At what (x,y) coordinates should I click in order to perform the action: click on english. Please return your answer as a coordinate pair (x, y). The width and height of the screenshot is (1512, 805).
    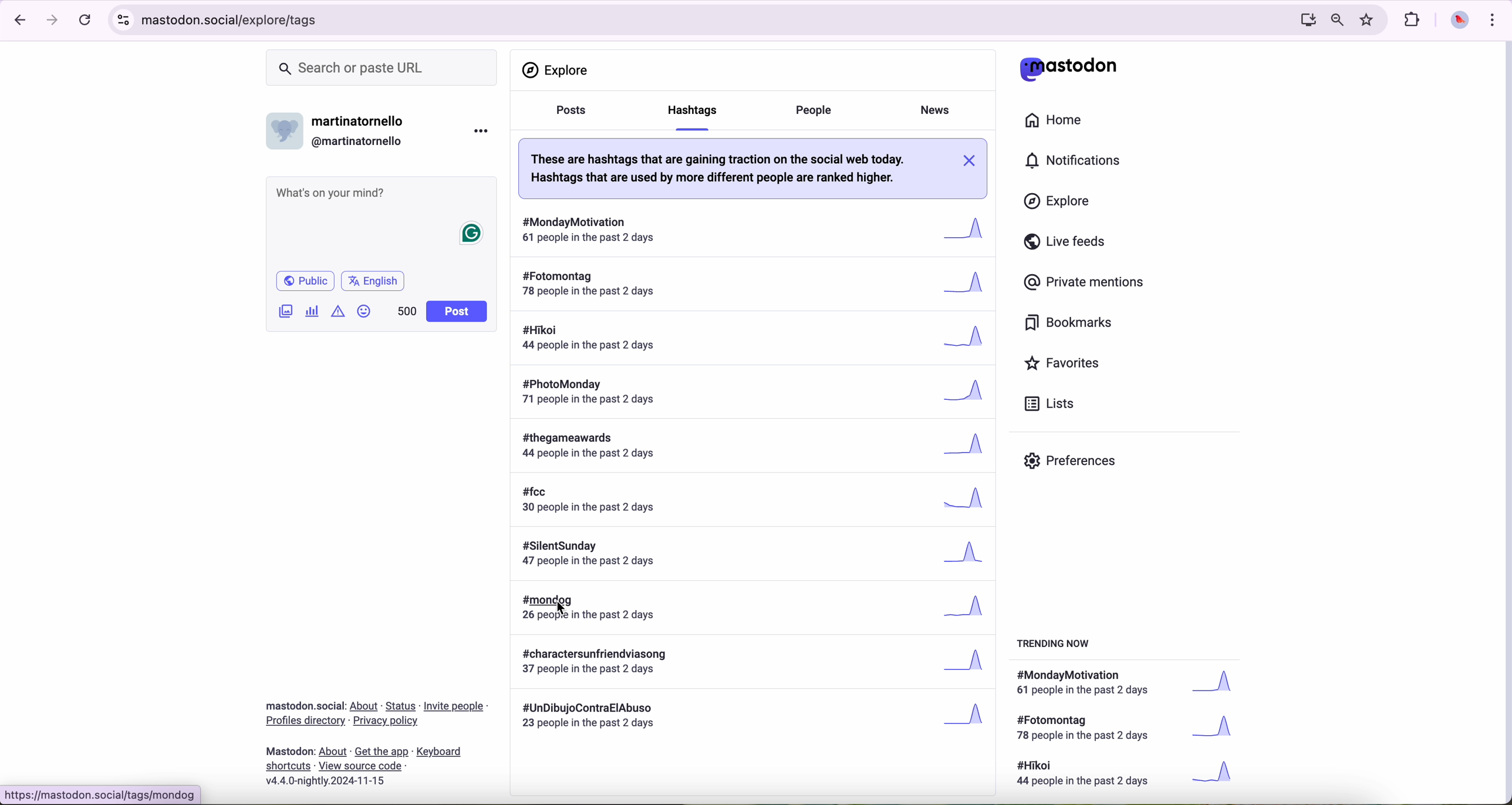
    Looking at the image, I should click on (375, 280).